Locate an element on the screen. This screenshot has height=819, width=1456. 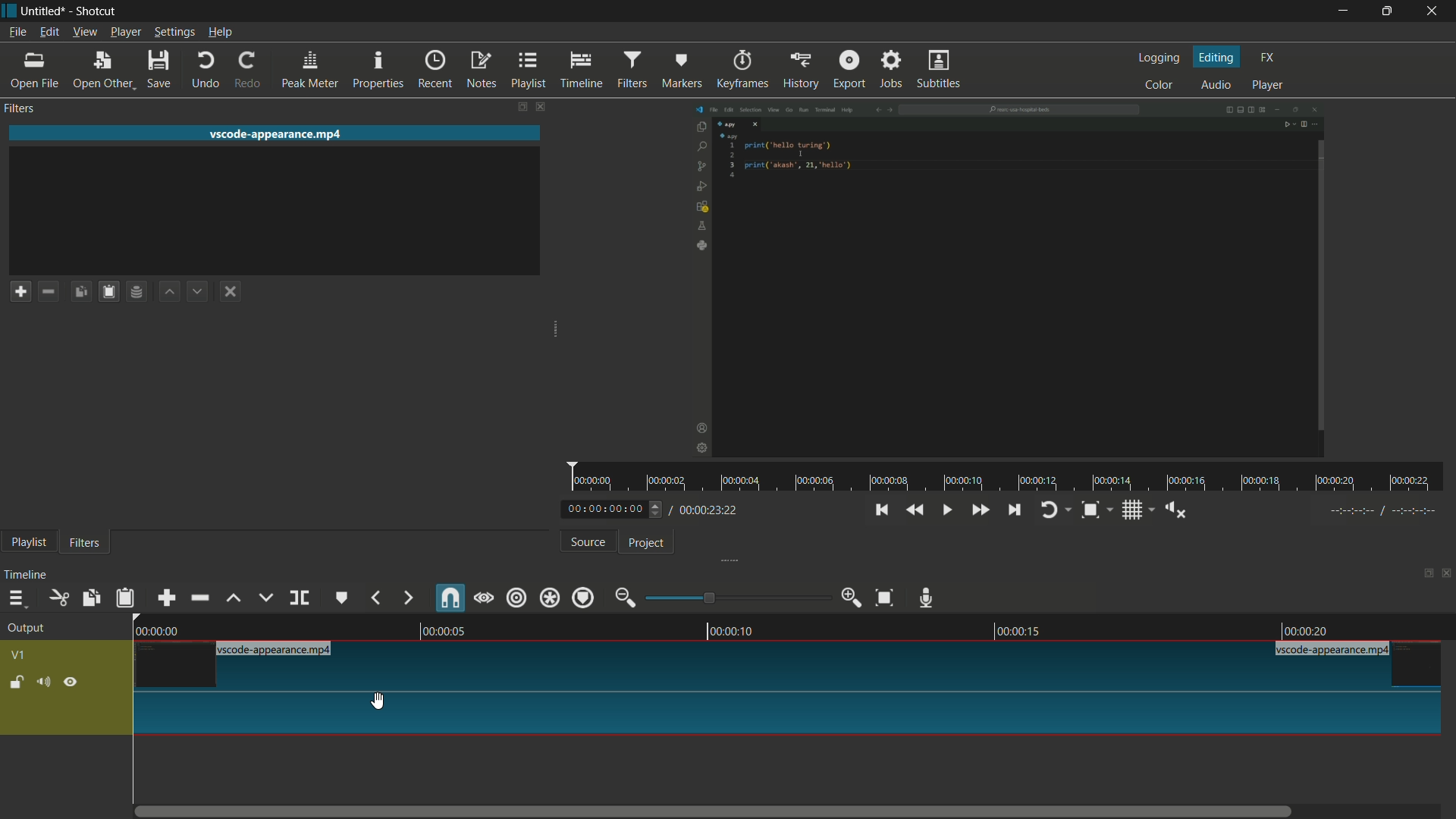
lock is located at coordinates (16, 684).